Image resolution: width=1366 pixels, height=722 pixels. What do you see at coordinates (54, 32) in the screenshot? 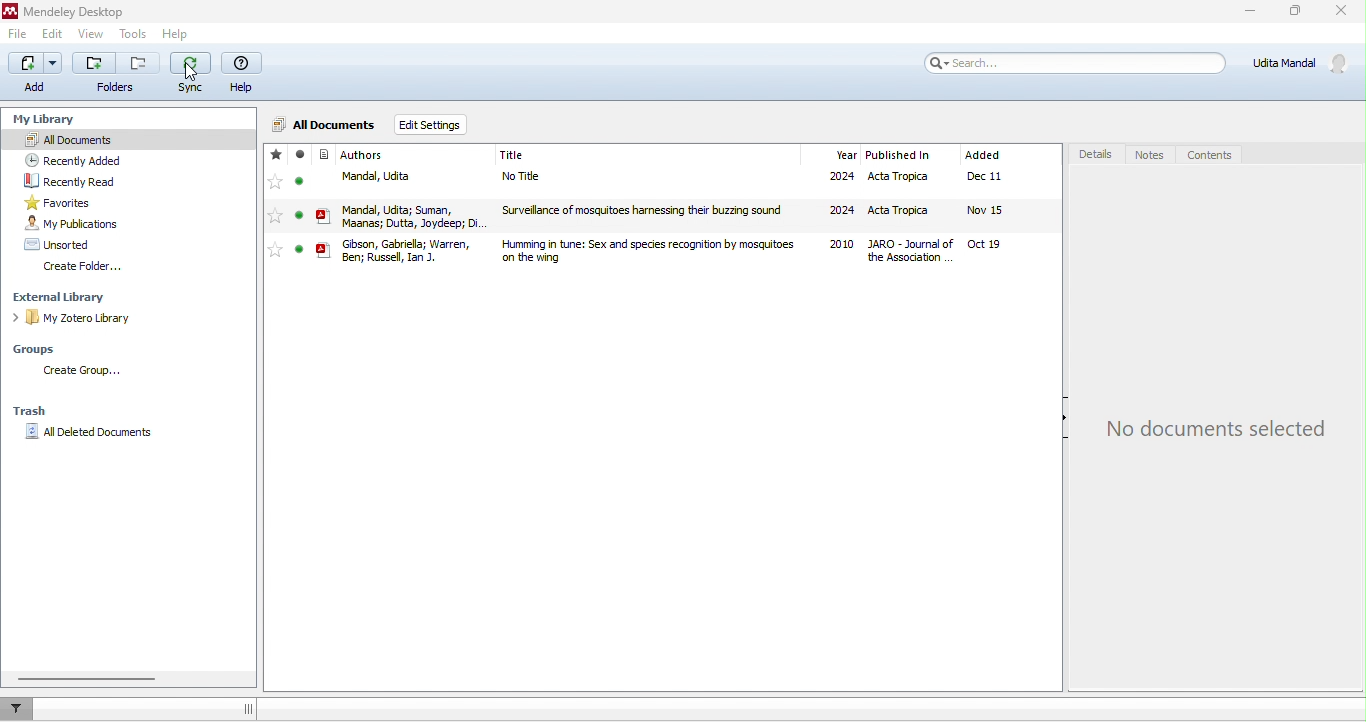
I see `edit` at bounding box center [54, 32].